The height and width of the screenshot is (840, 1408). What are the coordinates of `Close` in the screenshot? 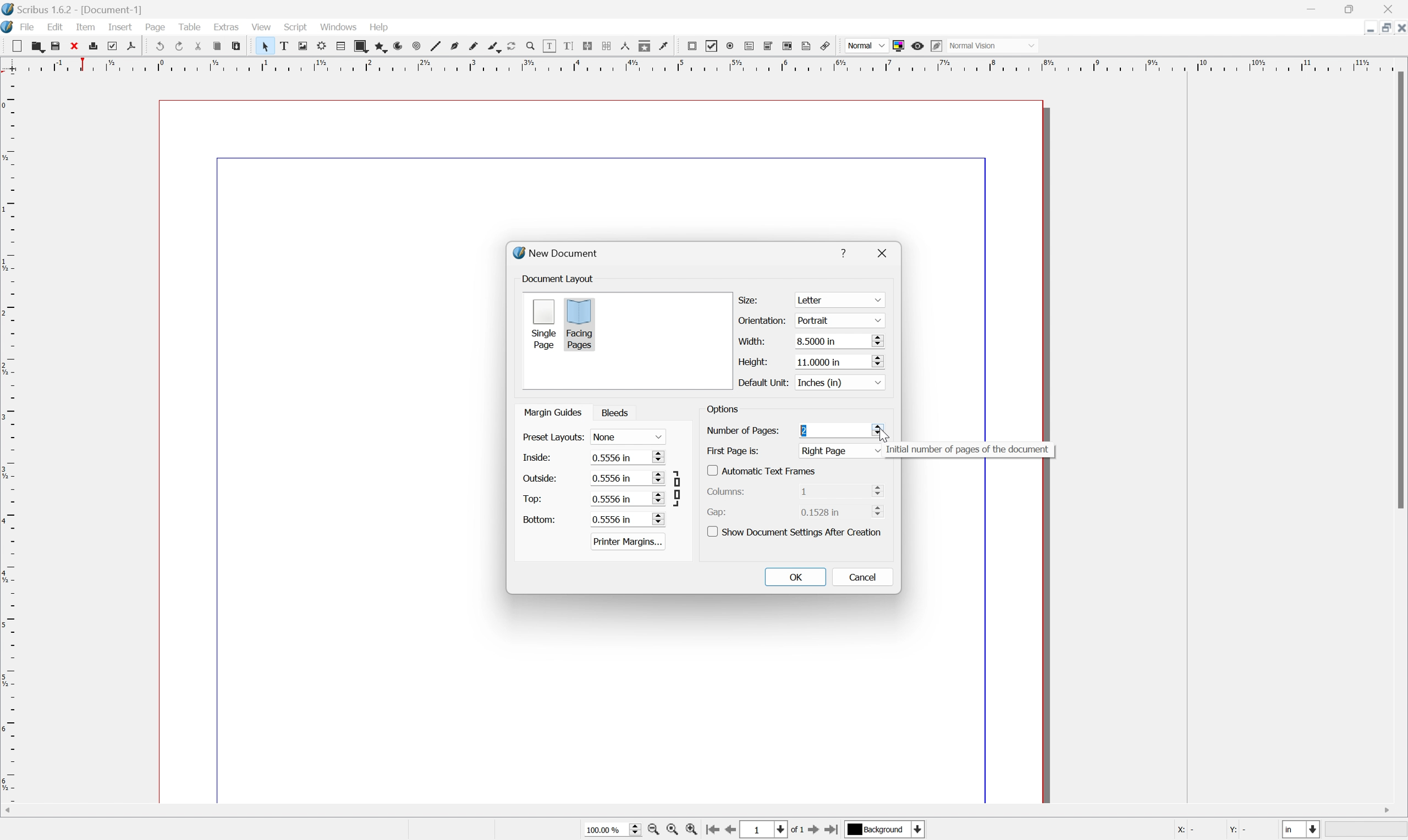 It's located at (1399, 27).